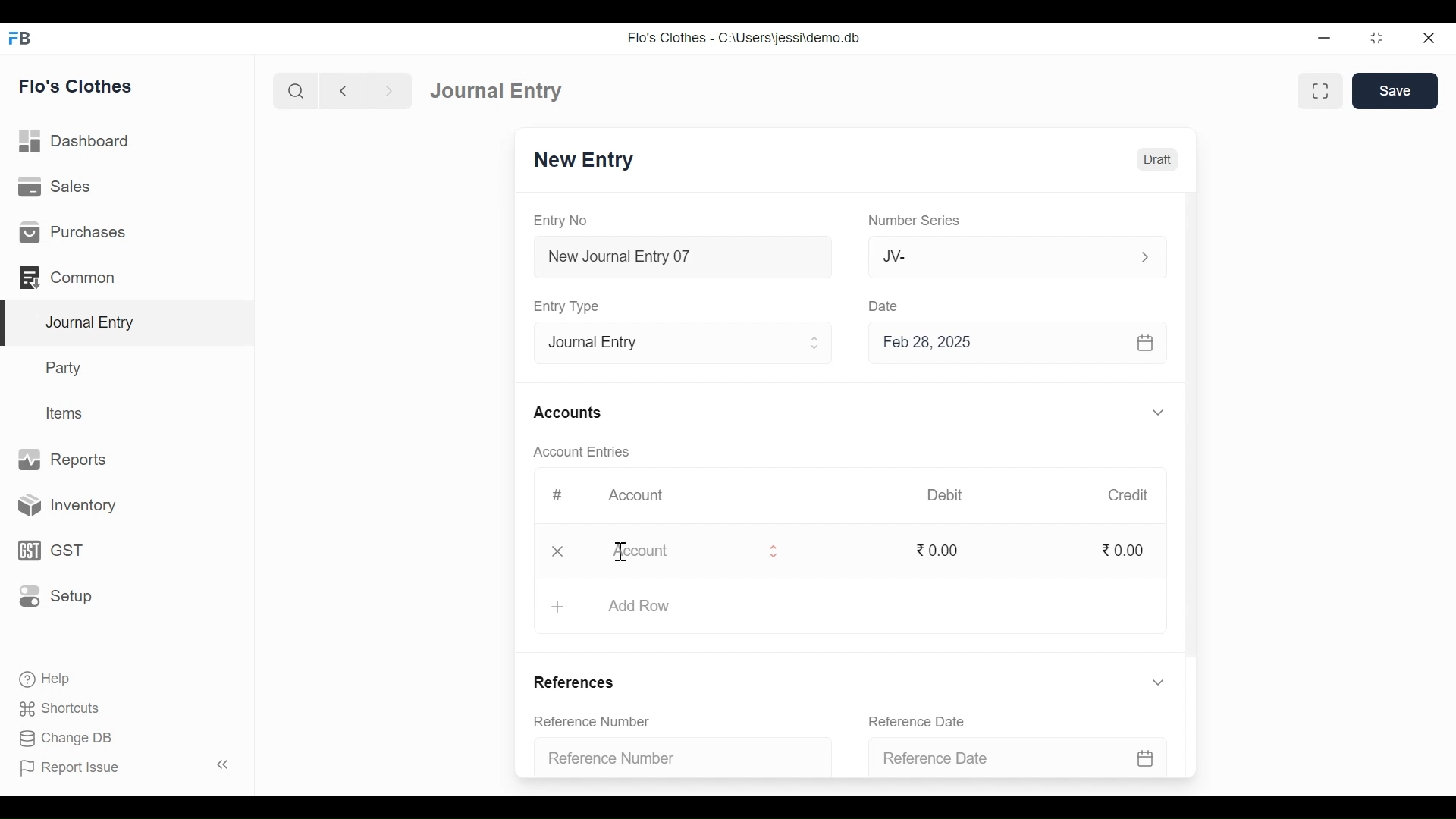 The image size is (1456, 819). I want to click on Sales, so click(57, 186).